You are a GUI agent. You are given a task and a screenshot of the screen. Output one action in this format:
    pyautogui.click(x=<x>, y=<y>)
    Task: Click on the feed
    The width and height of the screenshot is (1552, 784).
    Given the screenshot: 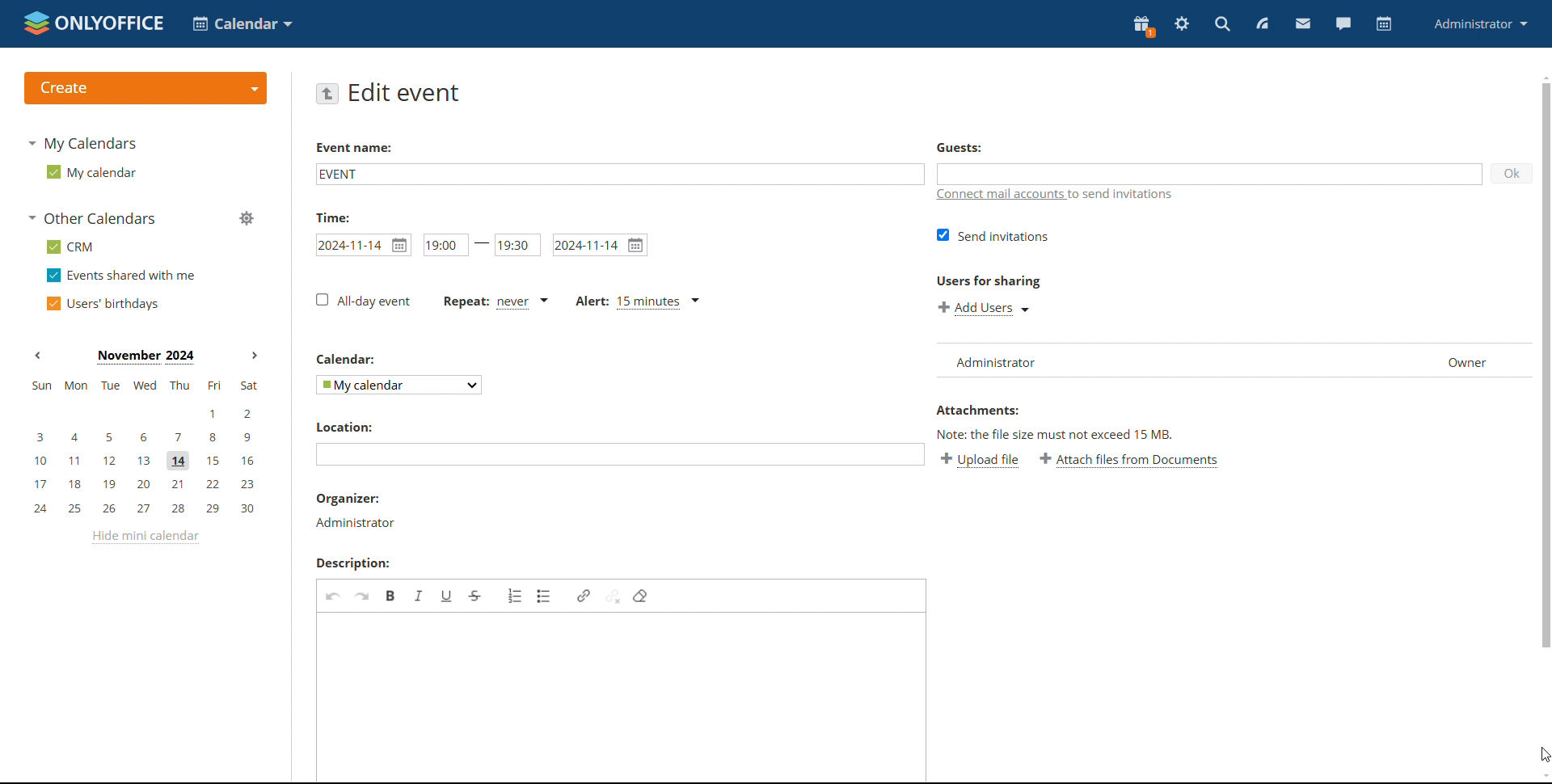 What is the action you would take?
    pyautogui.click(x=1263, y=23)
    